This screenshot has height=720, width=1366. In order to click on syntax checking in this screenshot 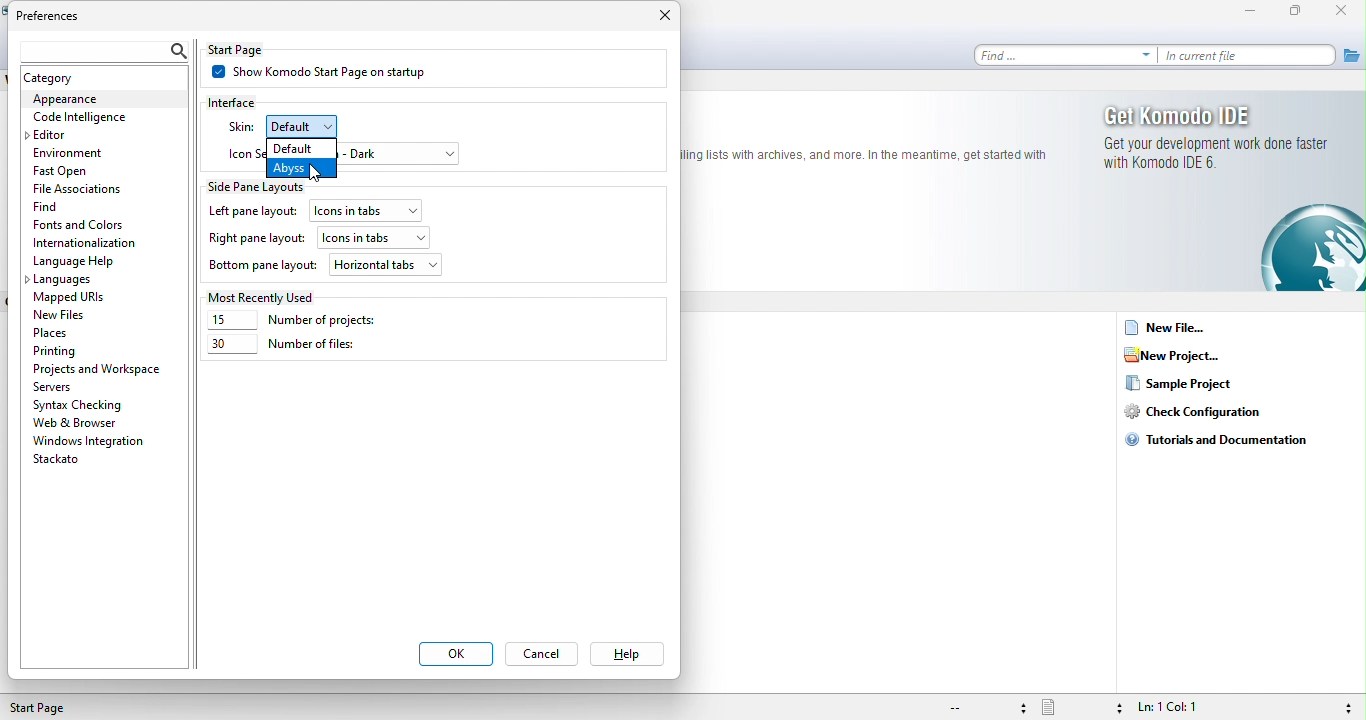, I will do `click(82, 404)`.